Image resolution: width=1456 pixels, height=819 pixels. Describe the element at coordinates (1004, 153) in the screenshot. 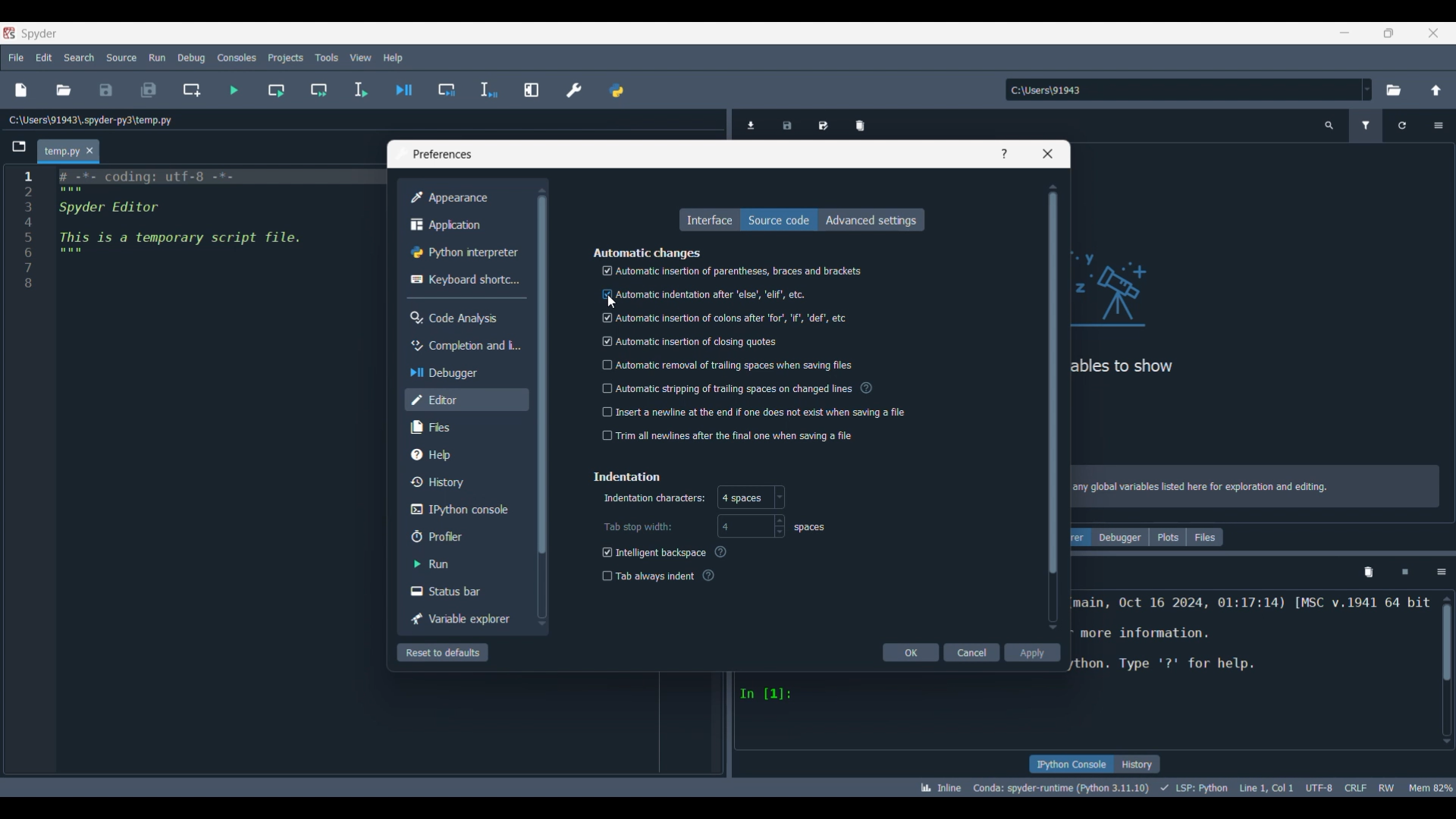

I see `Help` at that location.